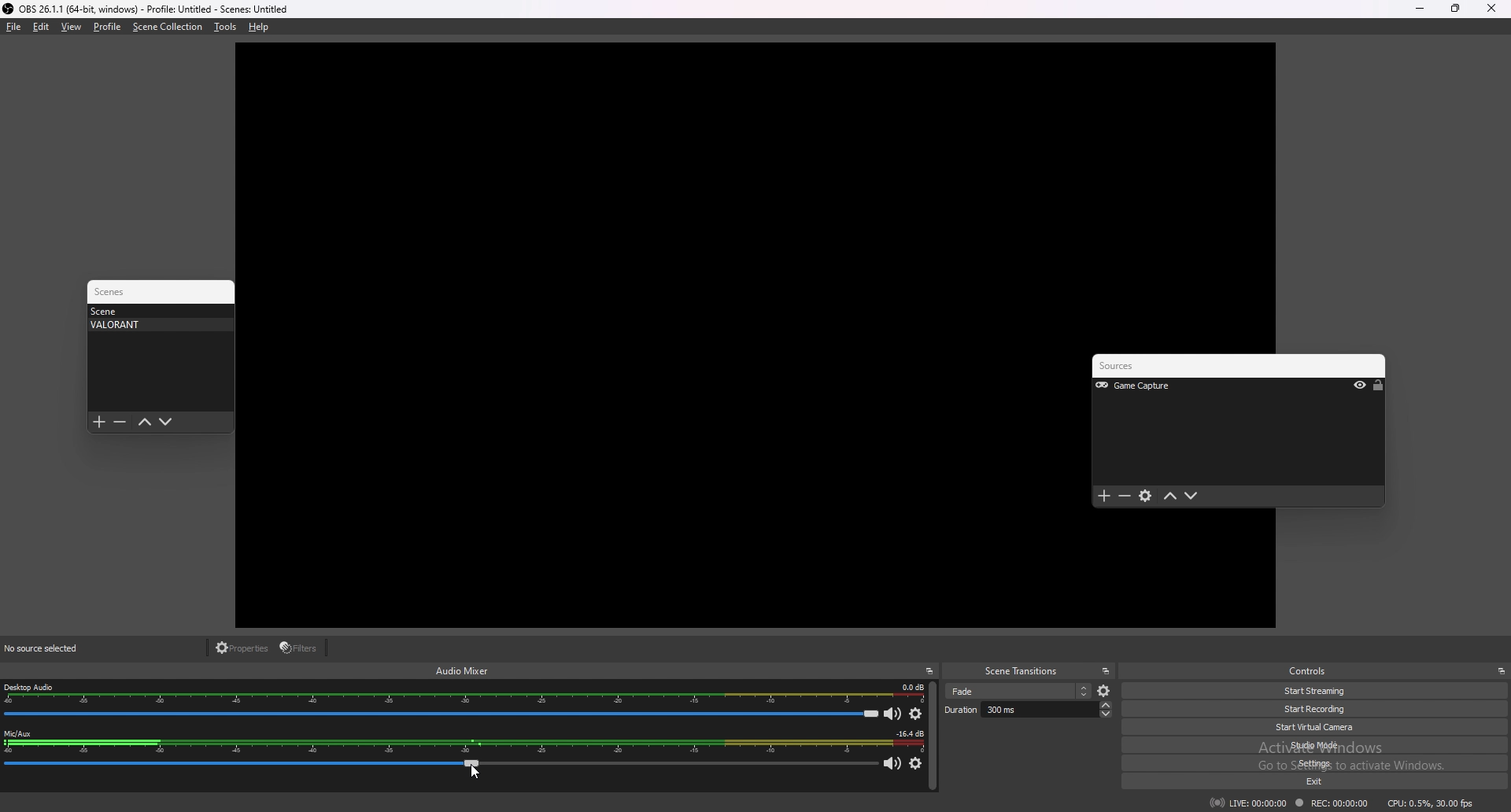  I want to click on view, so click(72, 26).